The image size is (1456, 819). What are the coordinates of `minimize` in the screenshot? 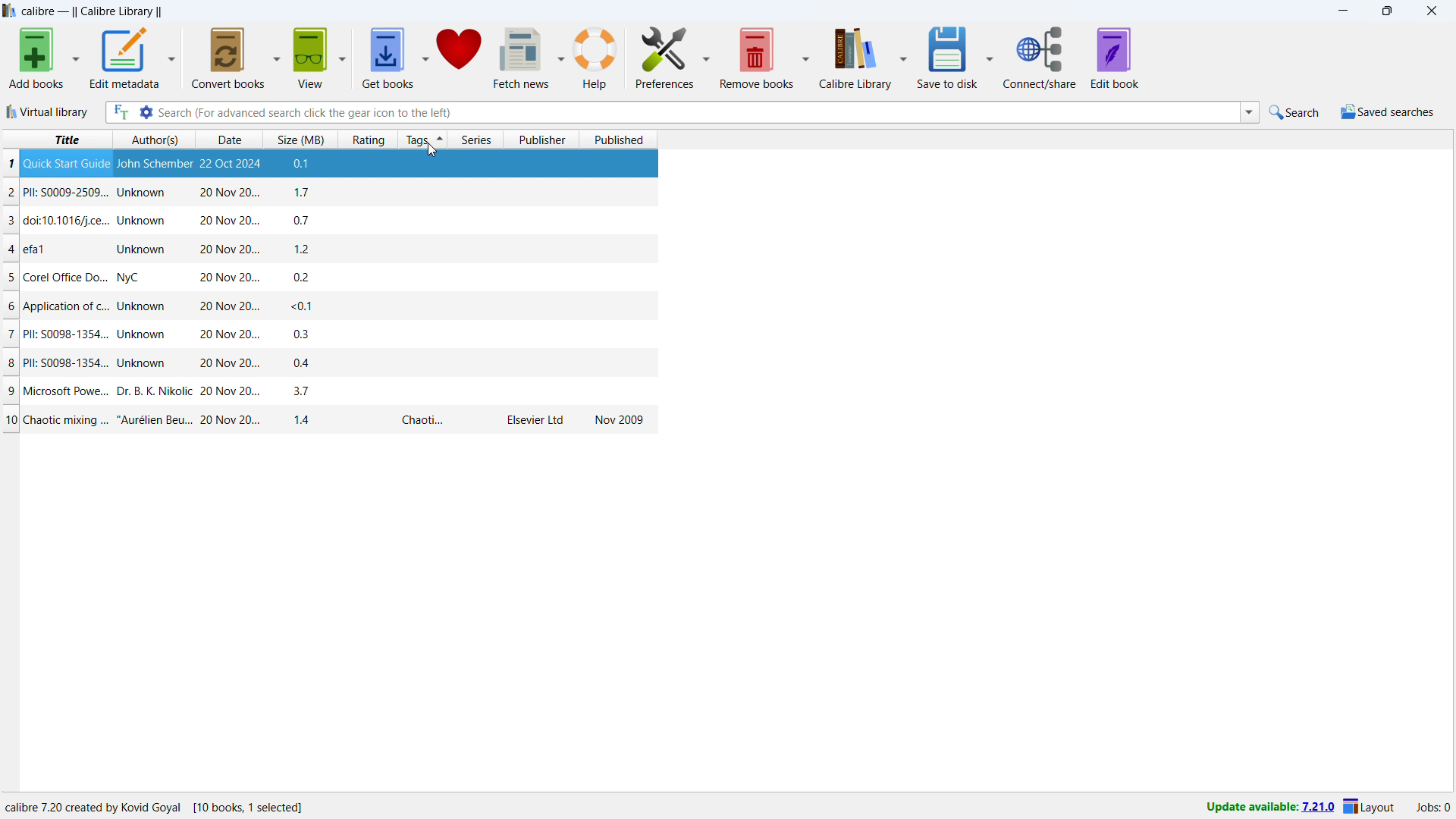 It's located at (1342, 10).